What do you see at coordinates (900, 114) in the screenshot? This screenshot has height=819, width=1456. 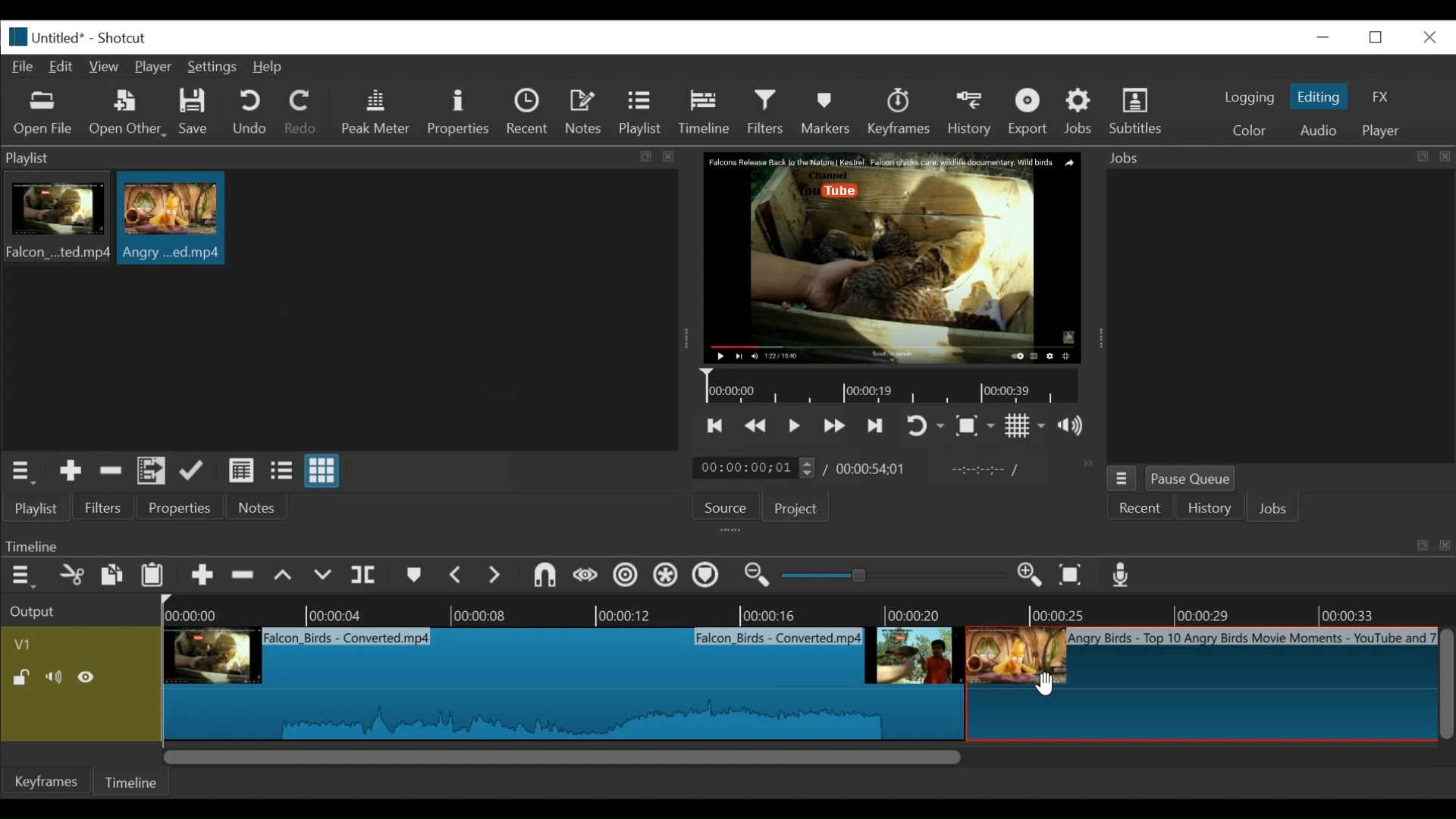 I see `keyframes` at bounding box center [900, 114].